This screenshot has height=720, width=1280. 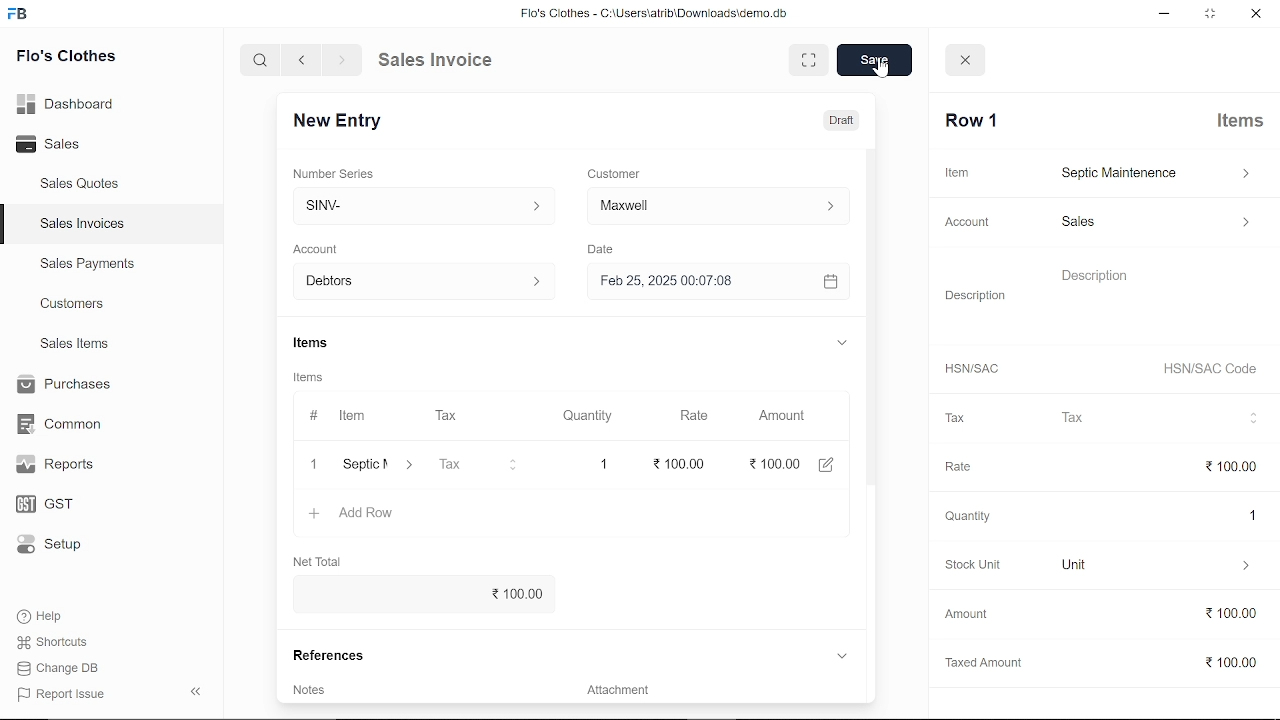 I want to click on collapse, so click(x=198, y=693).